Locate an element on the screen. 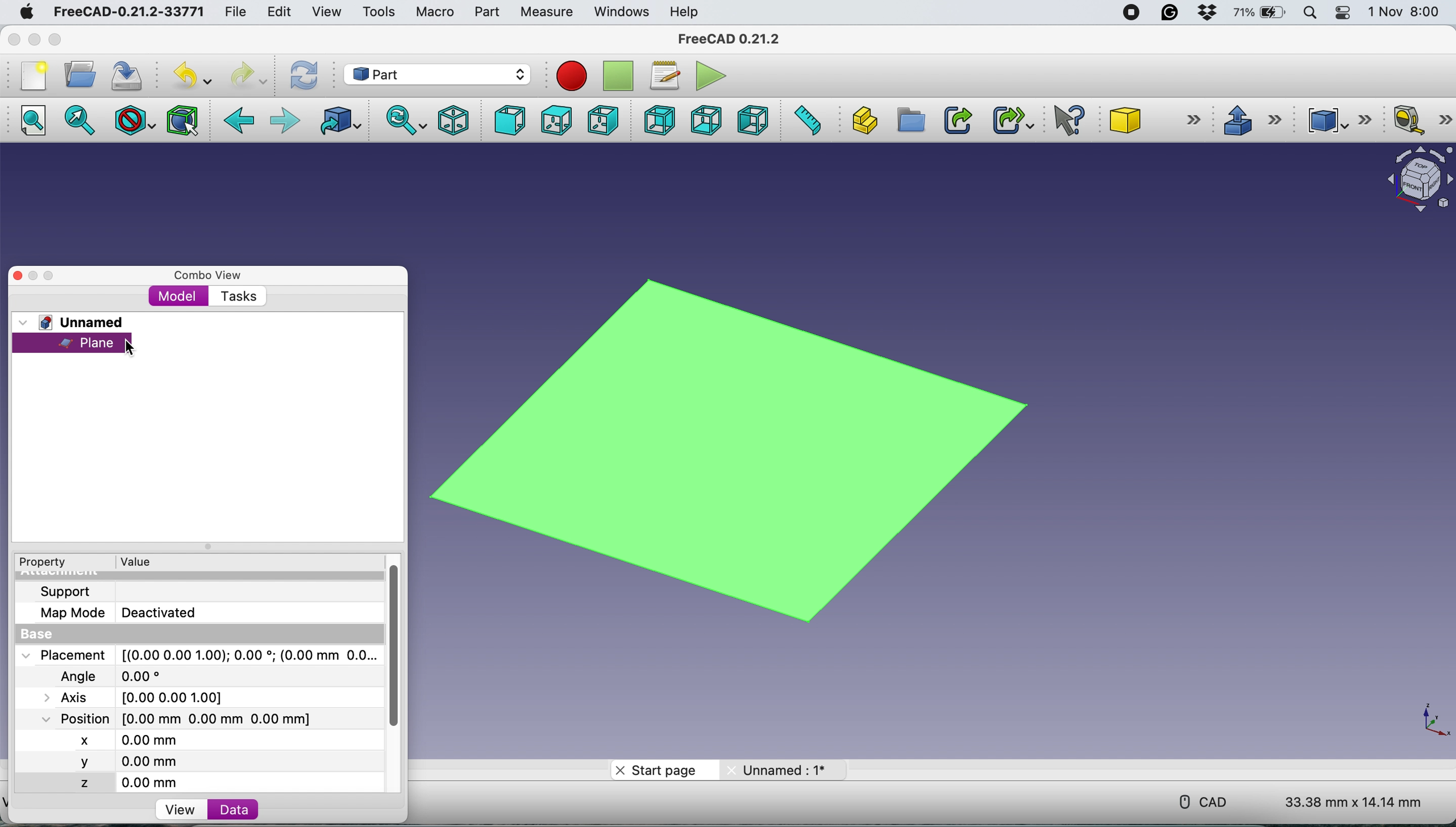 This screenshot has width=1456, height=827. battery is located at coordinates (1262, 13).